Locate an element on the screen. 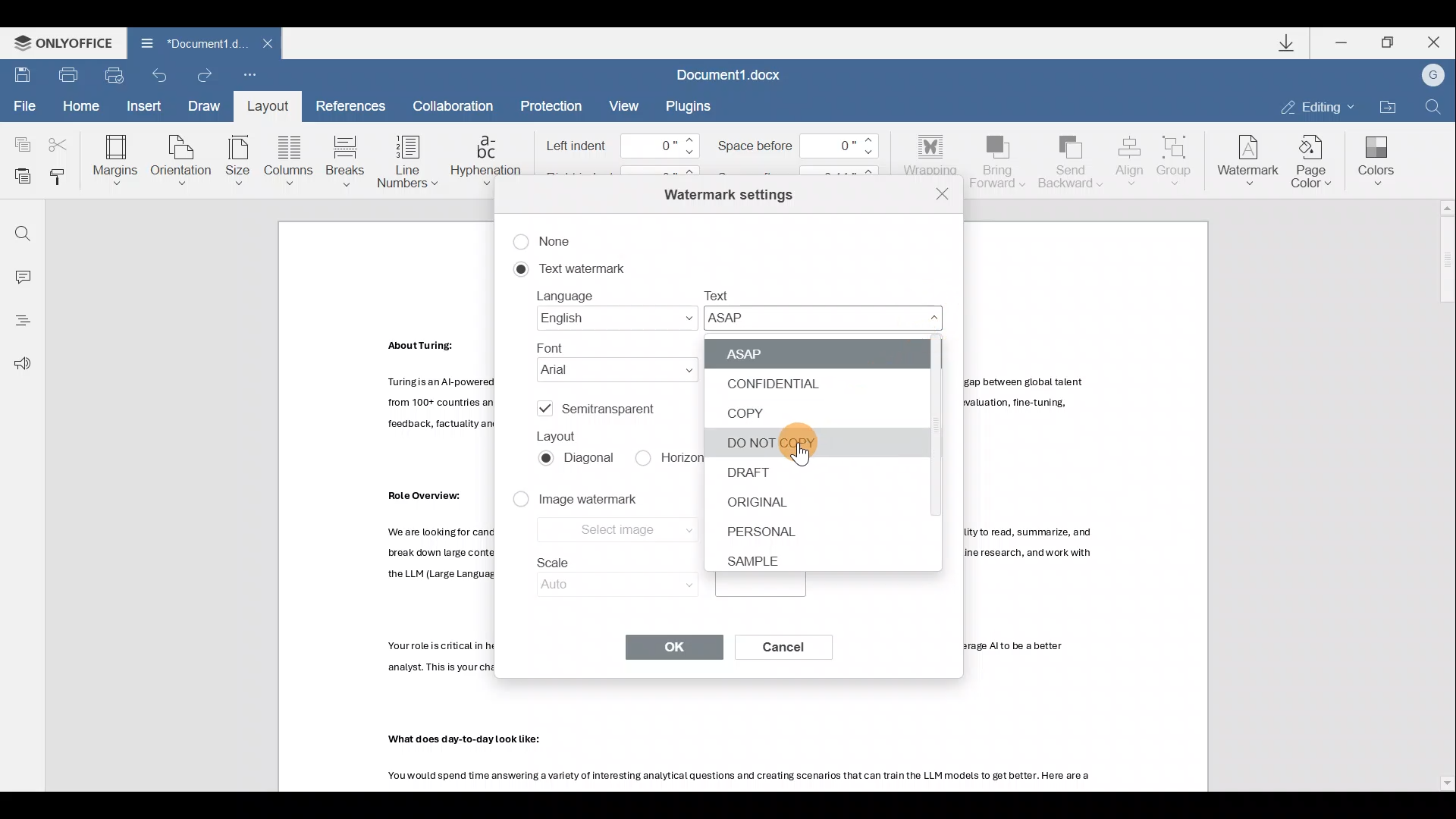 This screenshot has height=819, width=1456. CONFIDENTIAL is located at coordinates (808, 381).